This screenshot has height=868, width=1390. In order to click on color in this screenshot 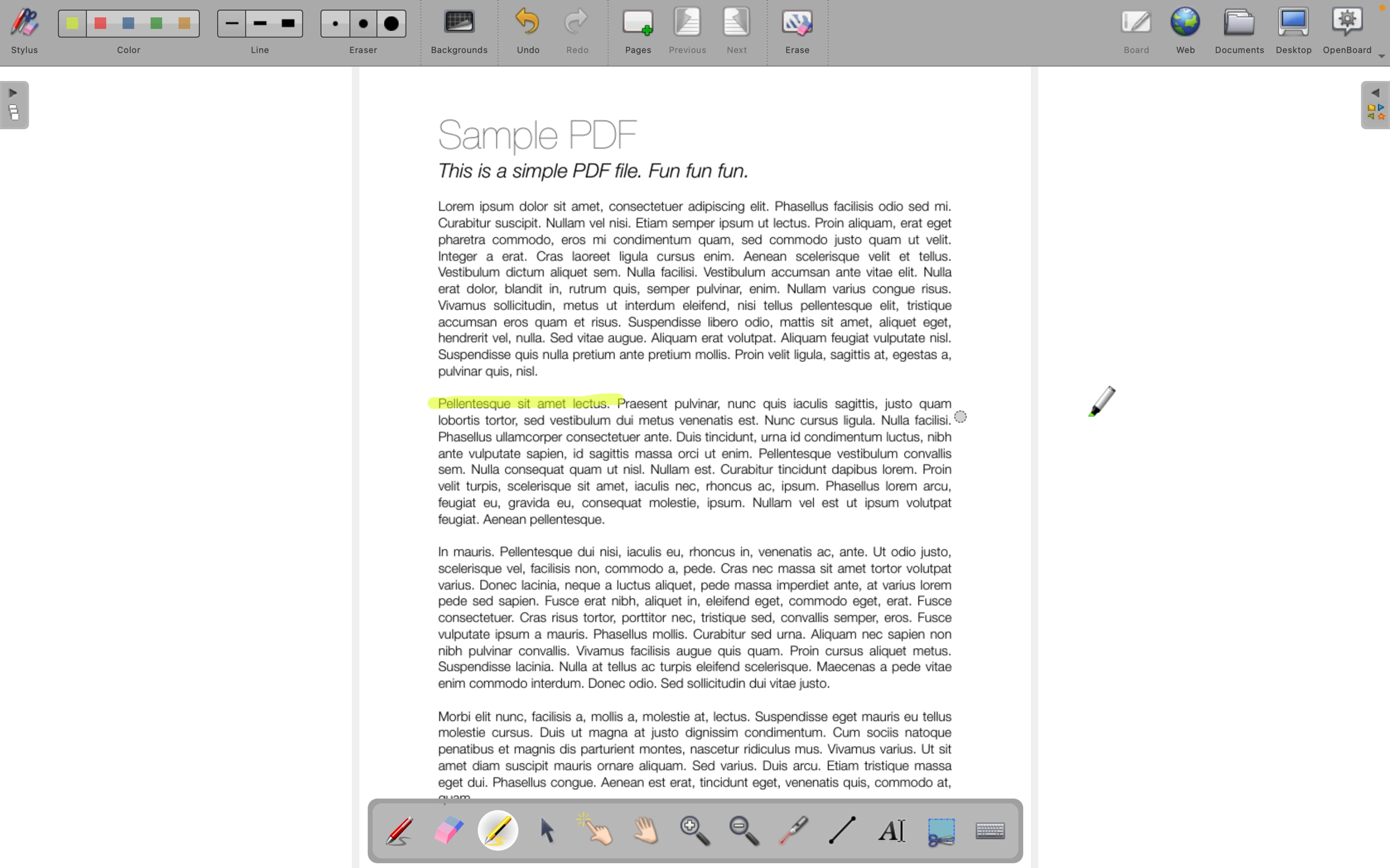, I will do `click(123, 36)`.